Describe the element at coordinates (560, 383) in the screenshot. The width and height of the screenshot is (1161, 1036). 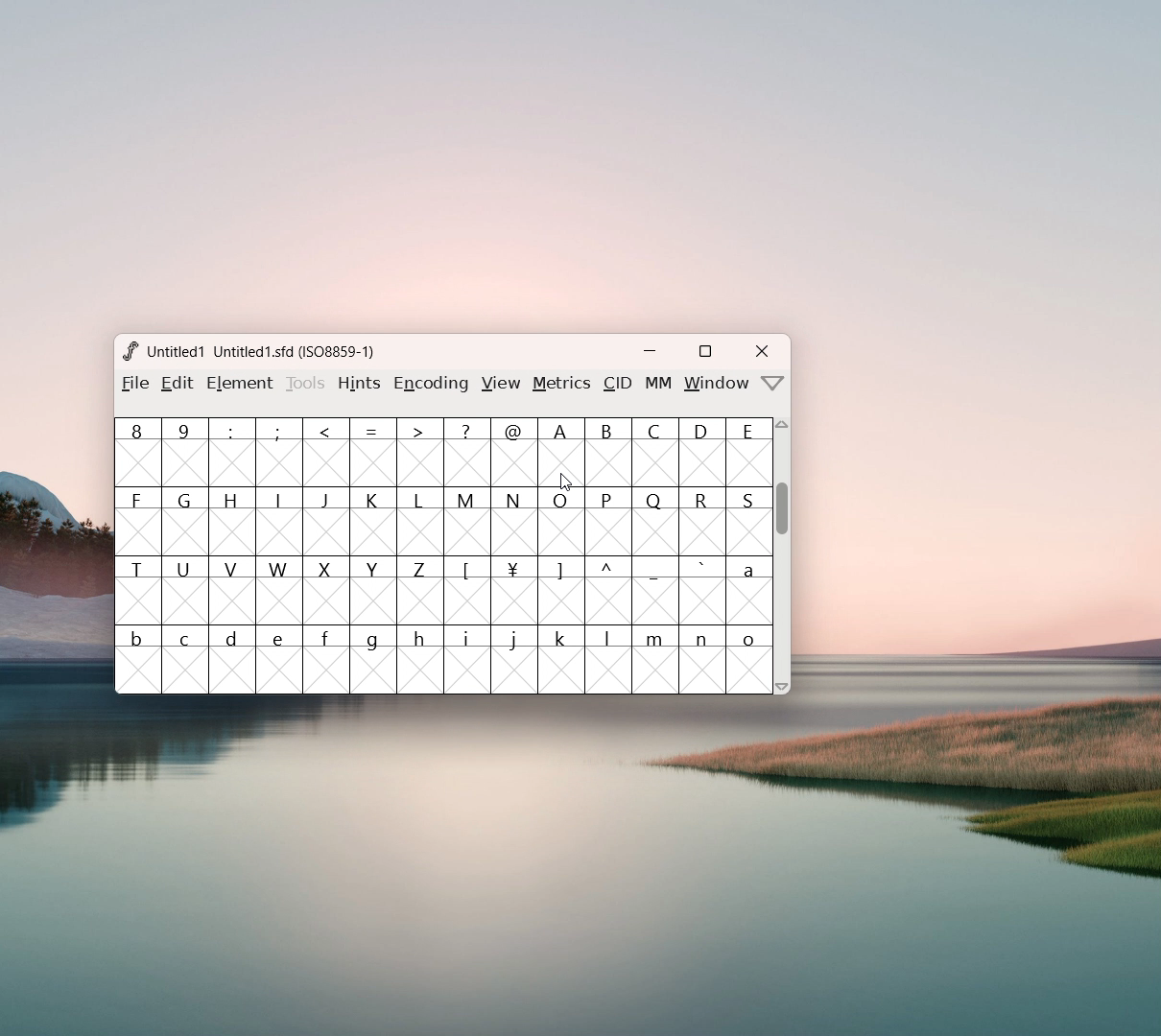
I see `metrics` at that location.